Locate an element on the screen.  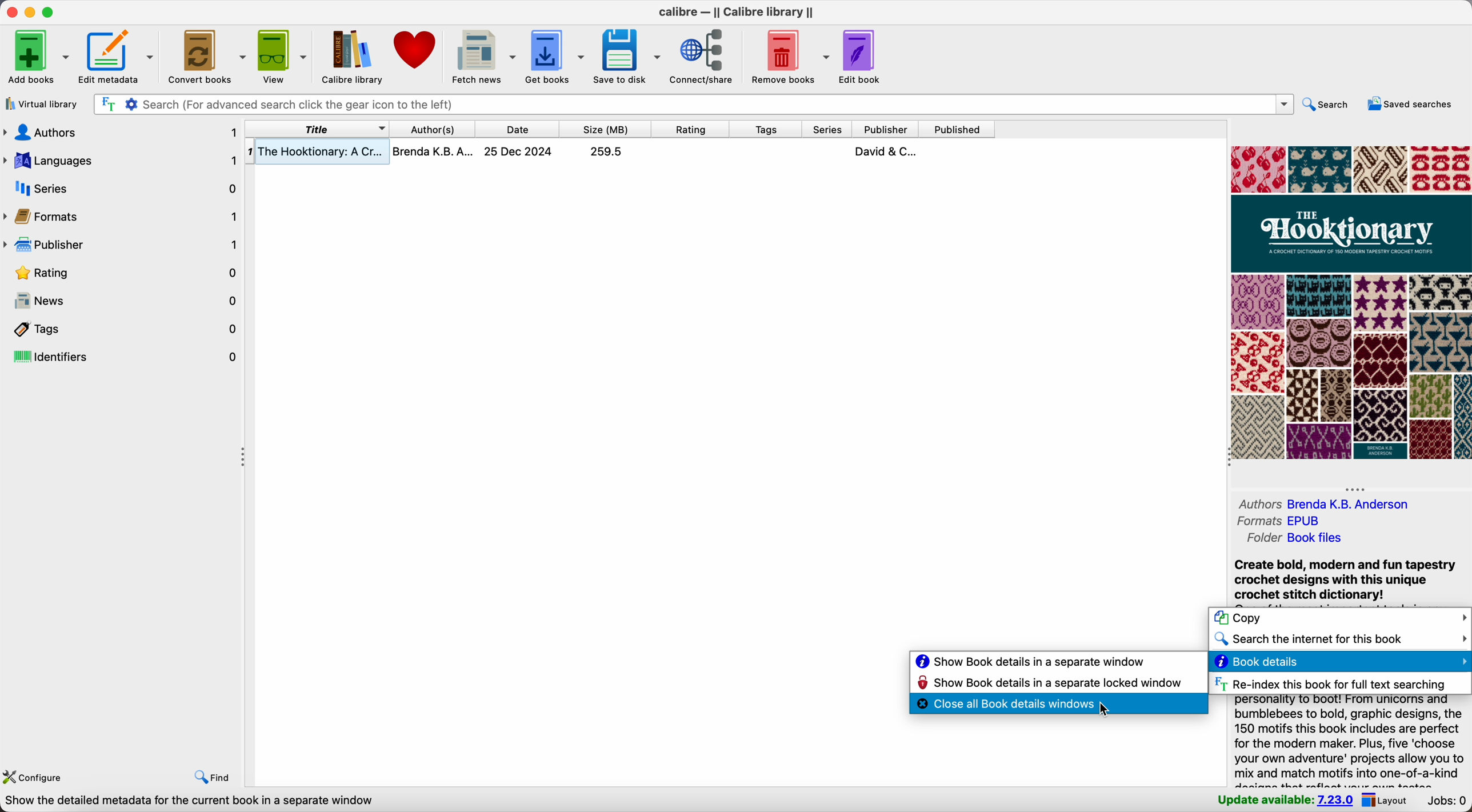
identifiers is located at coordinates (122, 357).